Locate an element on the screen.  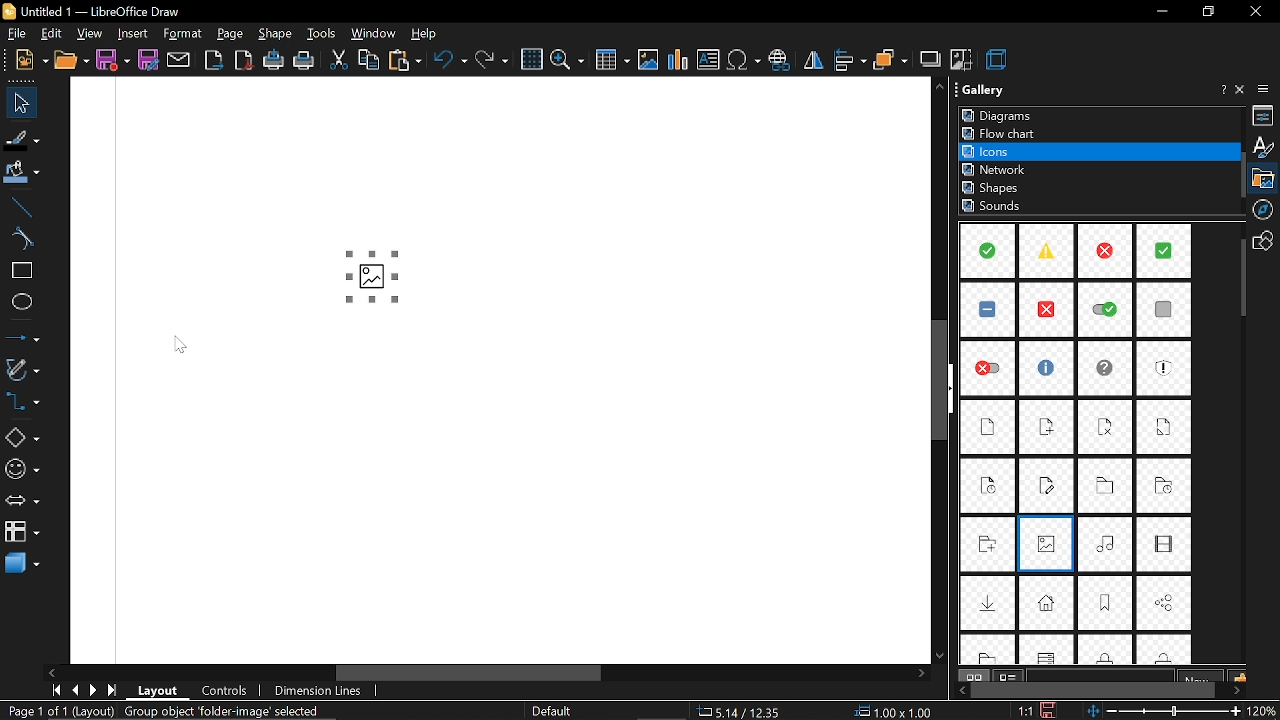
grid is located at coordinates (531, 59).